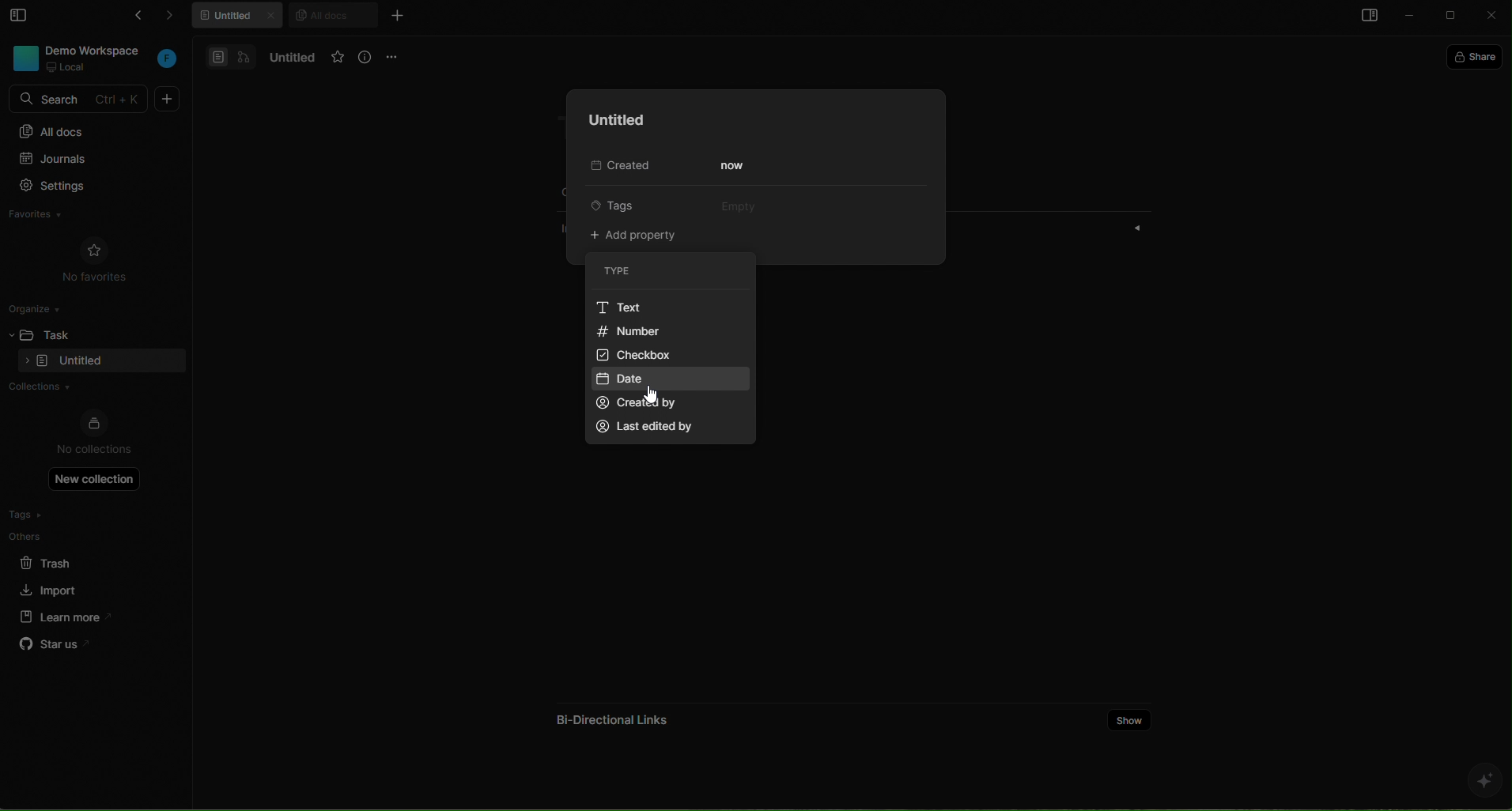  Describe the element at coordinates (649, 426) in the screenshot. I see `last edited by` at that location.